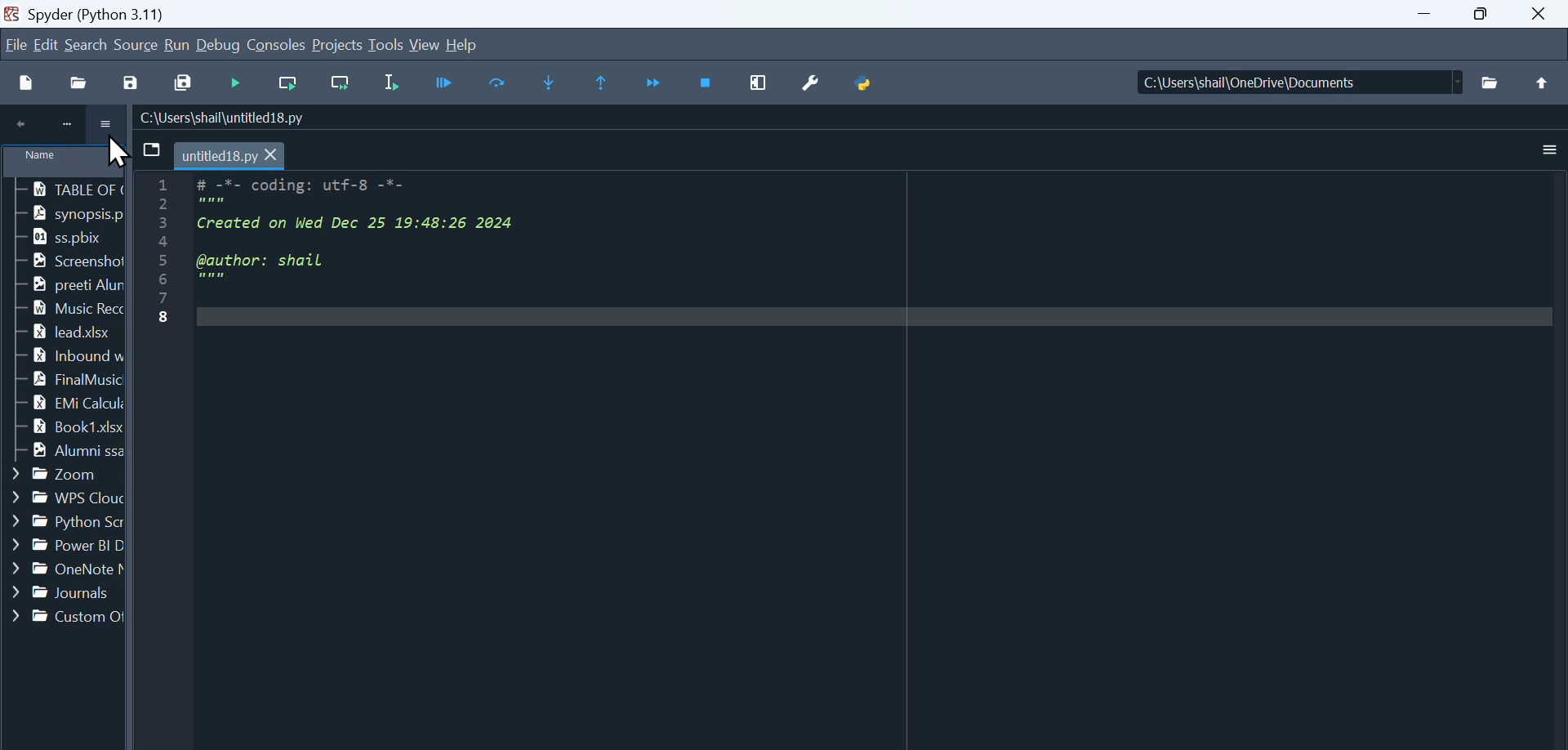 Image resolution: width=1568 pixels, height=750 pixels. I want to click on , so click(137, 43).